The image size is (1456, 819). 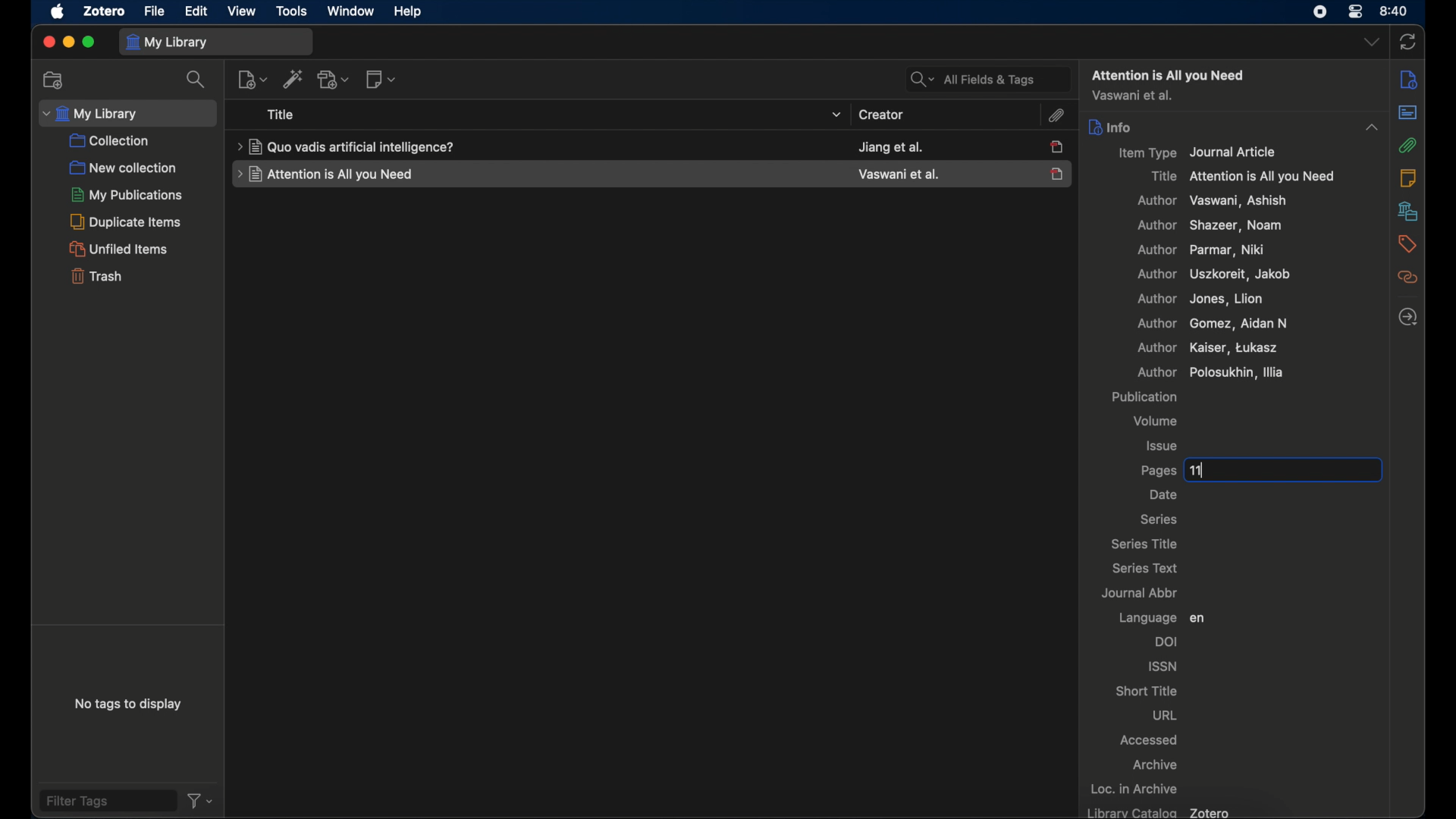 What do you see at coordinates (325, 174) in the screenshot?
I see `title` at bounding box center [325, 174].